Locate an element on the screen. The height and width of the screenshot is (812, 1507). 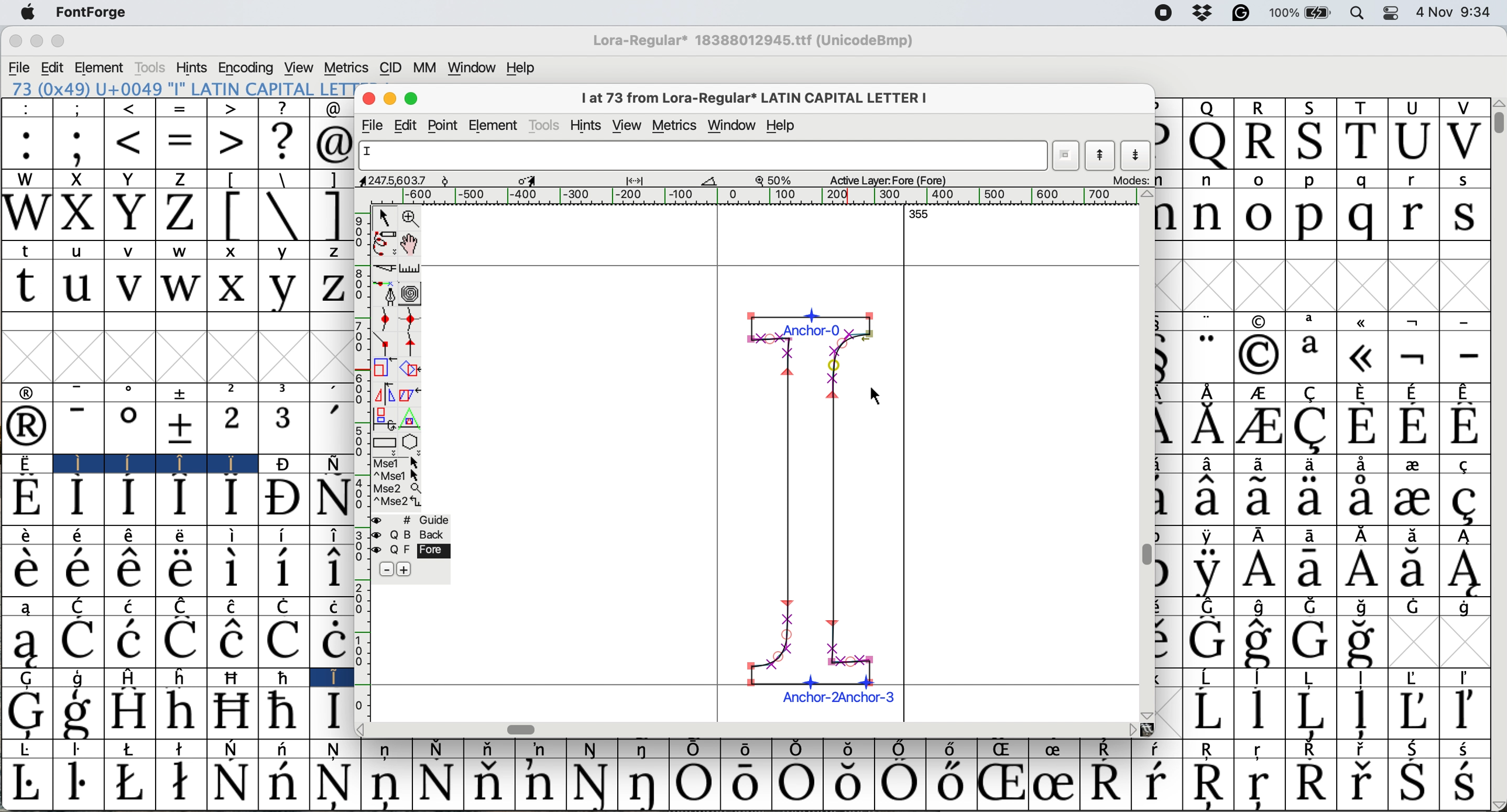
I is located at coordinates (331, 677).